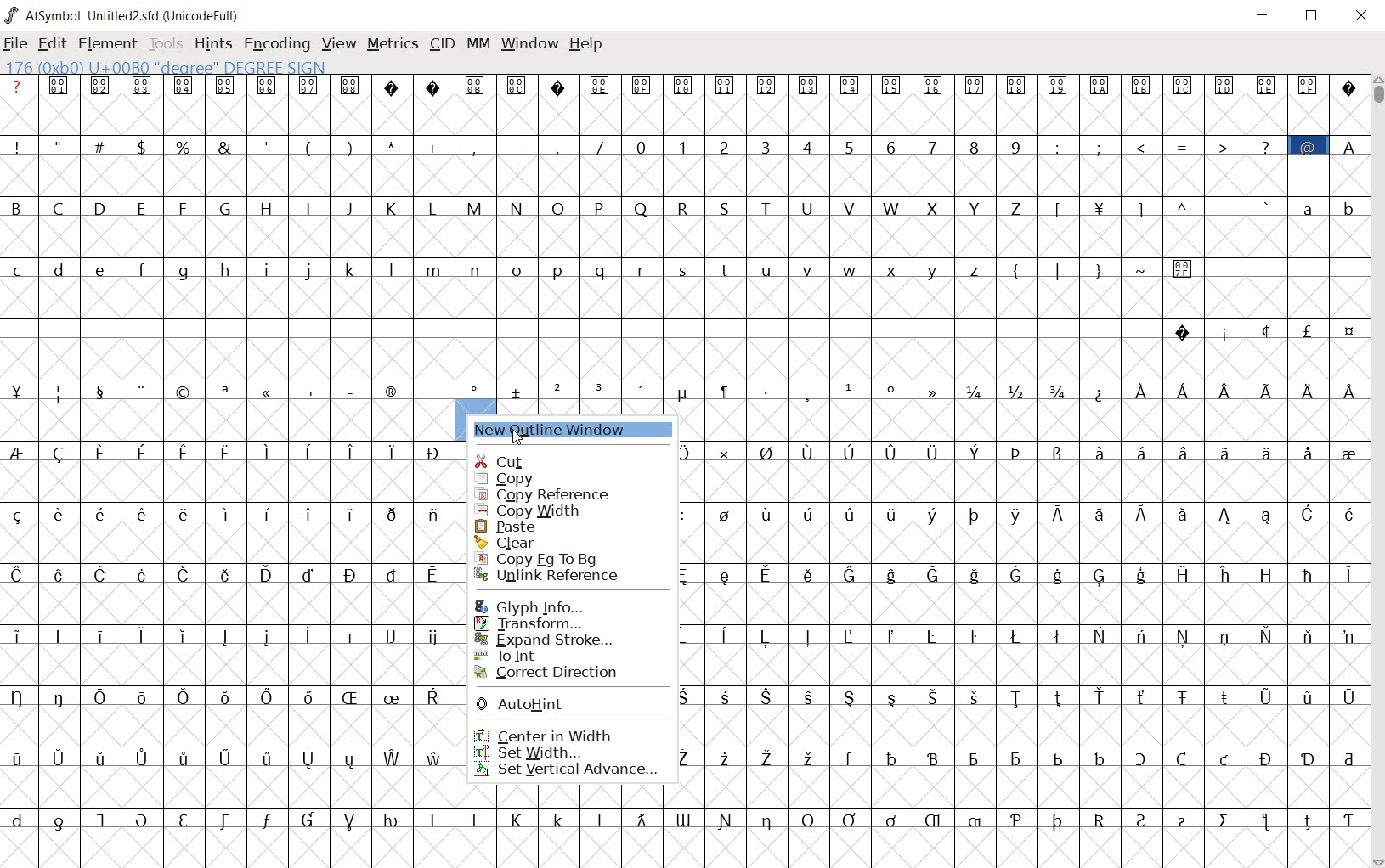 Image resolution: width=1385 pixels, height=868 pixels. Describe the element at coordinates (1021, 667) in the screenshot. I see `` at that location.